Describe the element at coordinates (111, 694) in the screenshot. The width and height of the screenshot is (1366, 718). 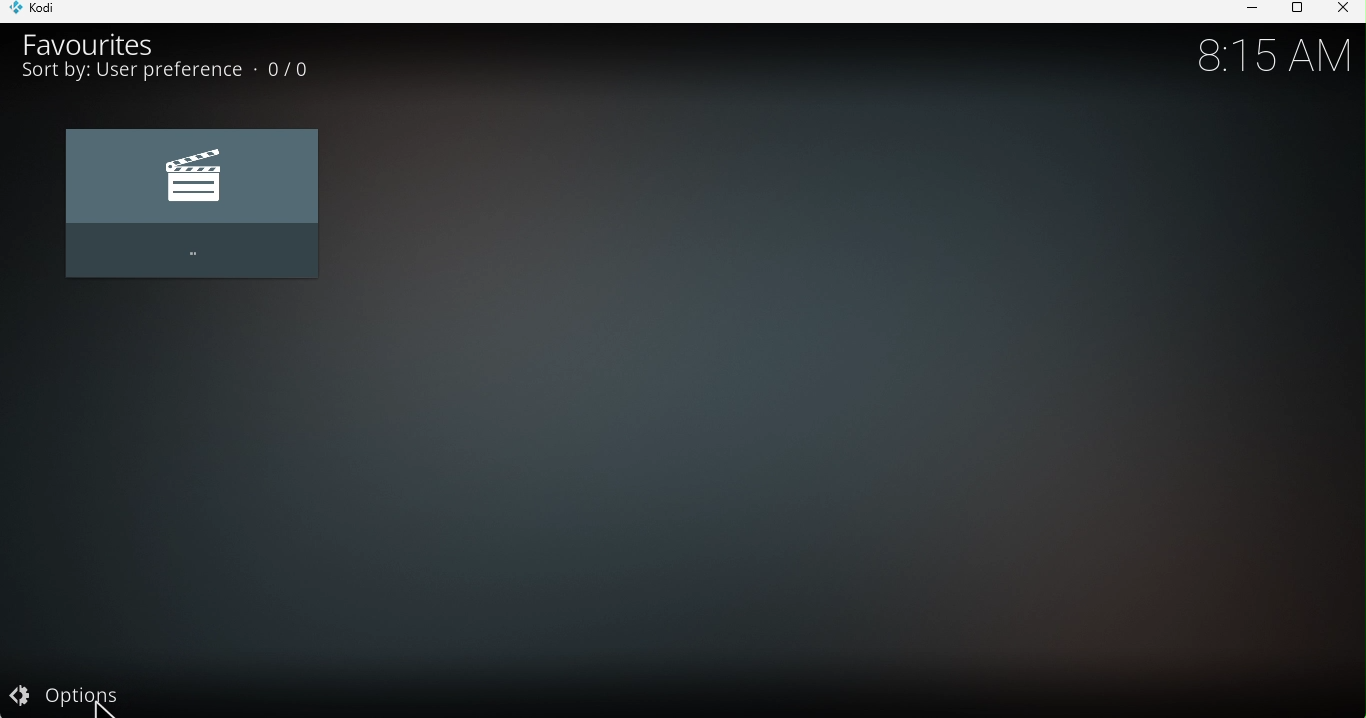
I see `Options` at that location.